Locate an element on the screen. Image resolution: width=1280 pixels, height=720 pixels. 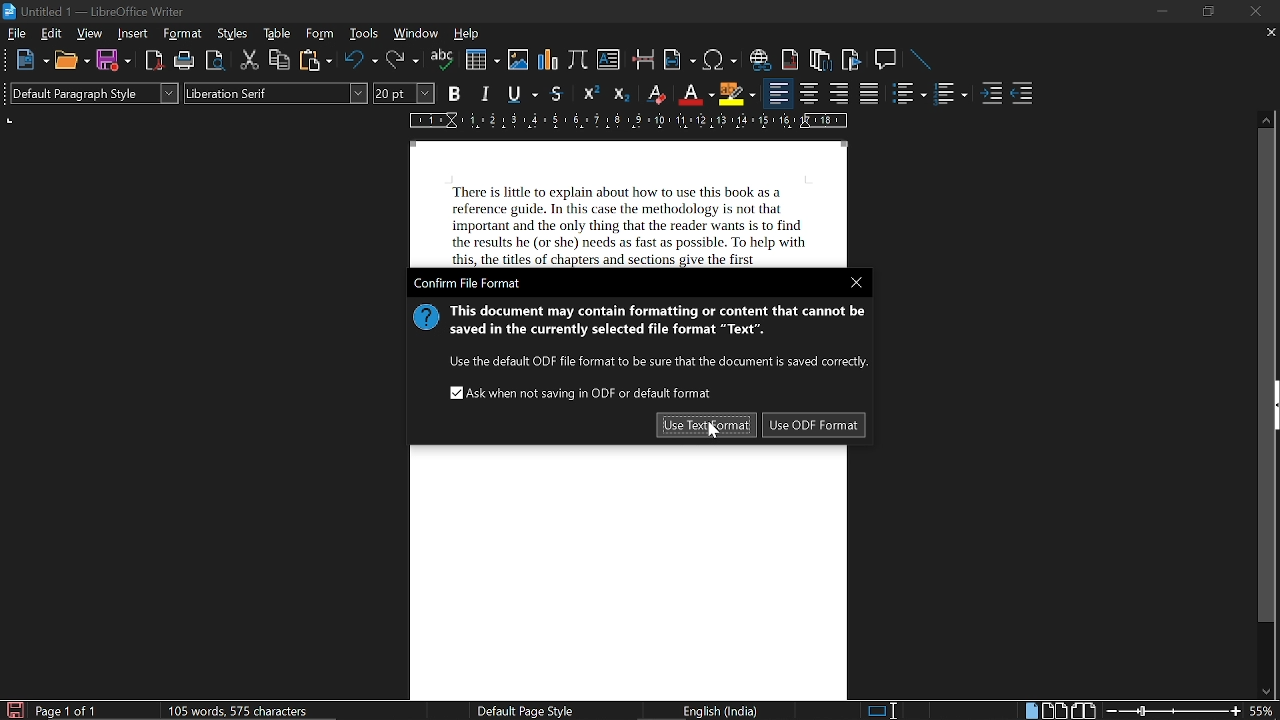
underline is located at coordinates (522, 93).